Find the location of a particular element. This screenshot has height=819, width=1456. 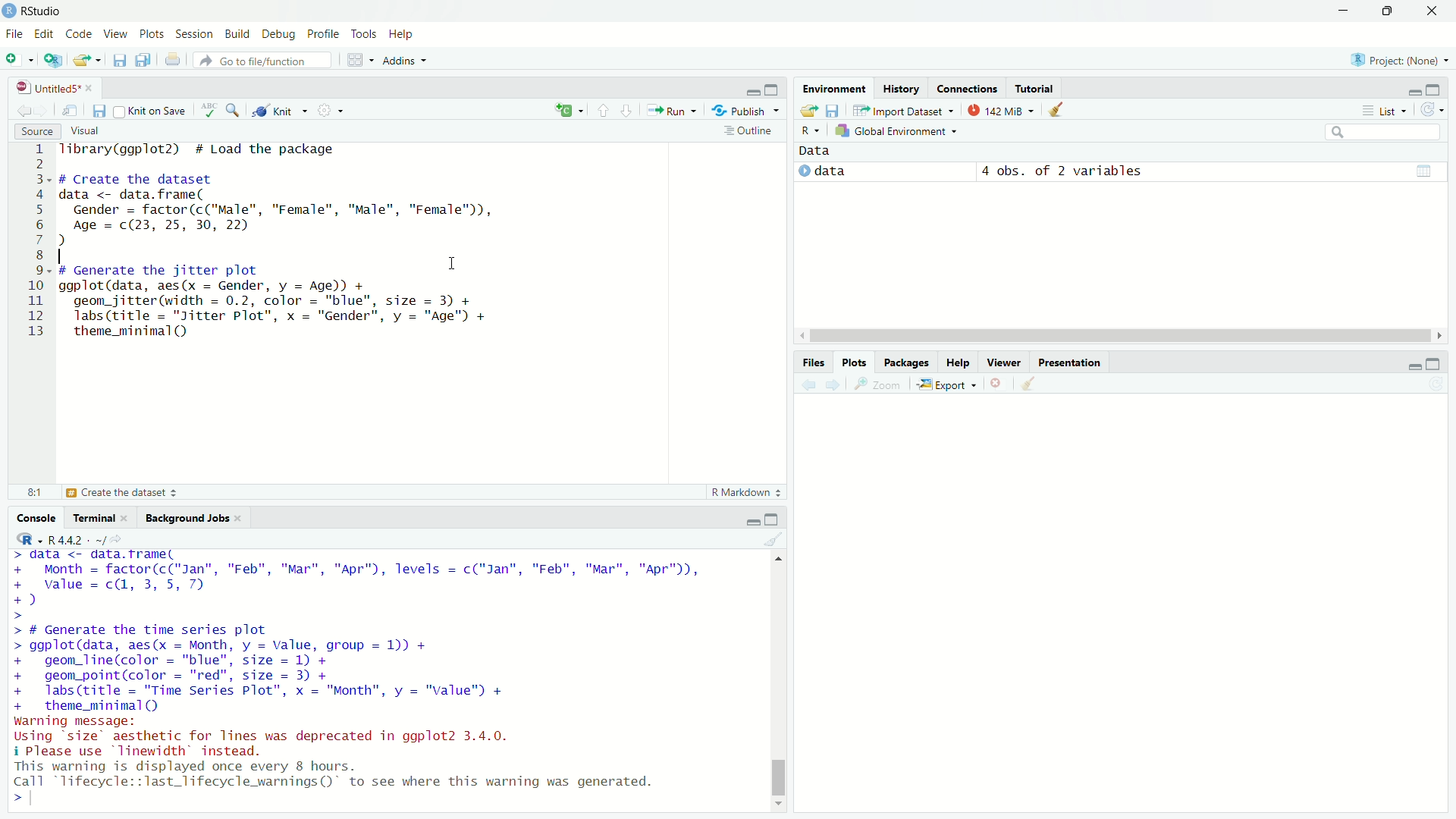

play is located at coordinates (805, 169).